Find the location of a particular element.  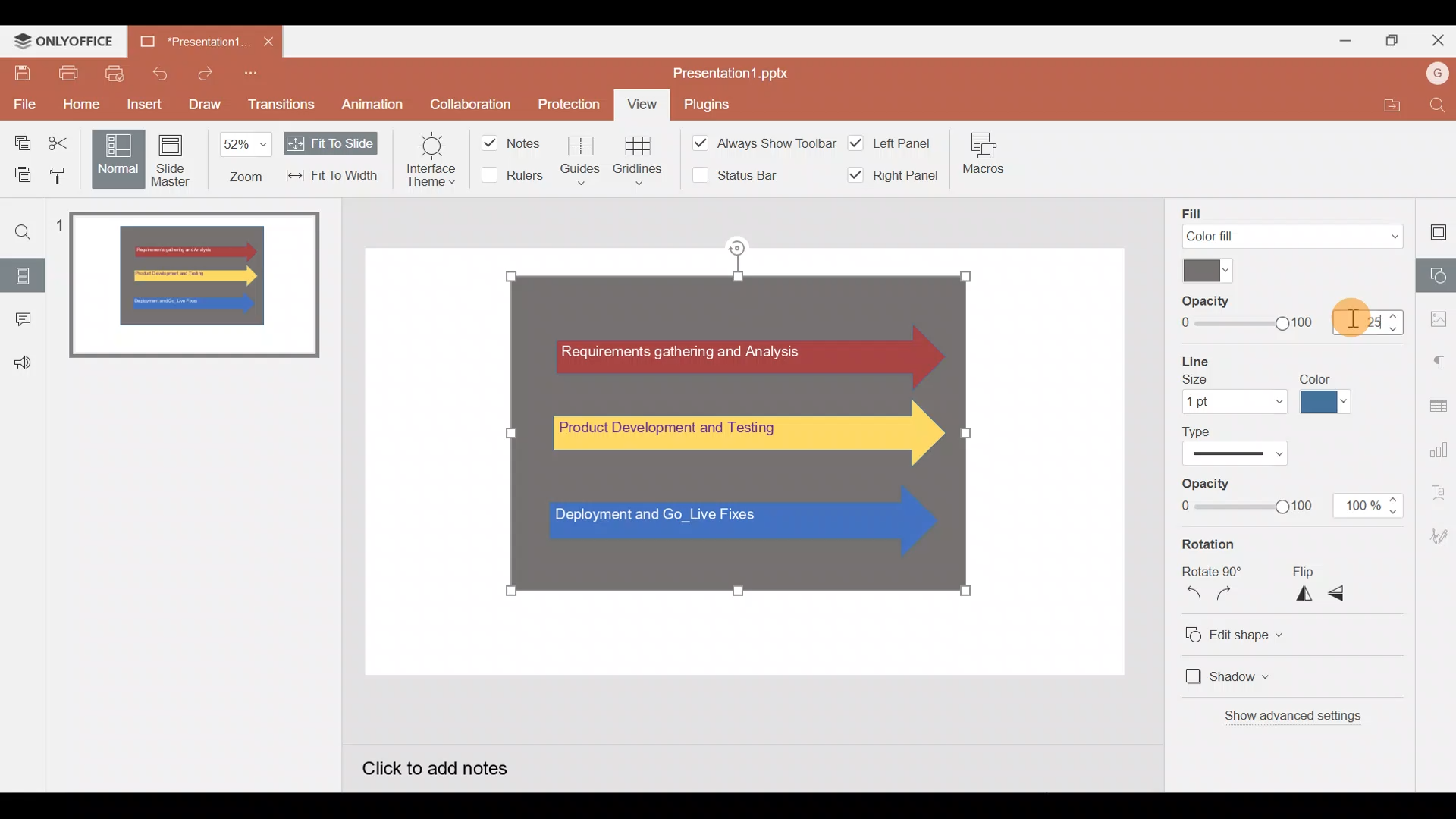

Transitions is located at coordinates (282, 105).